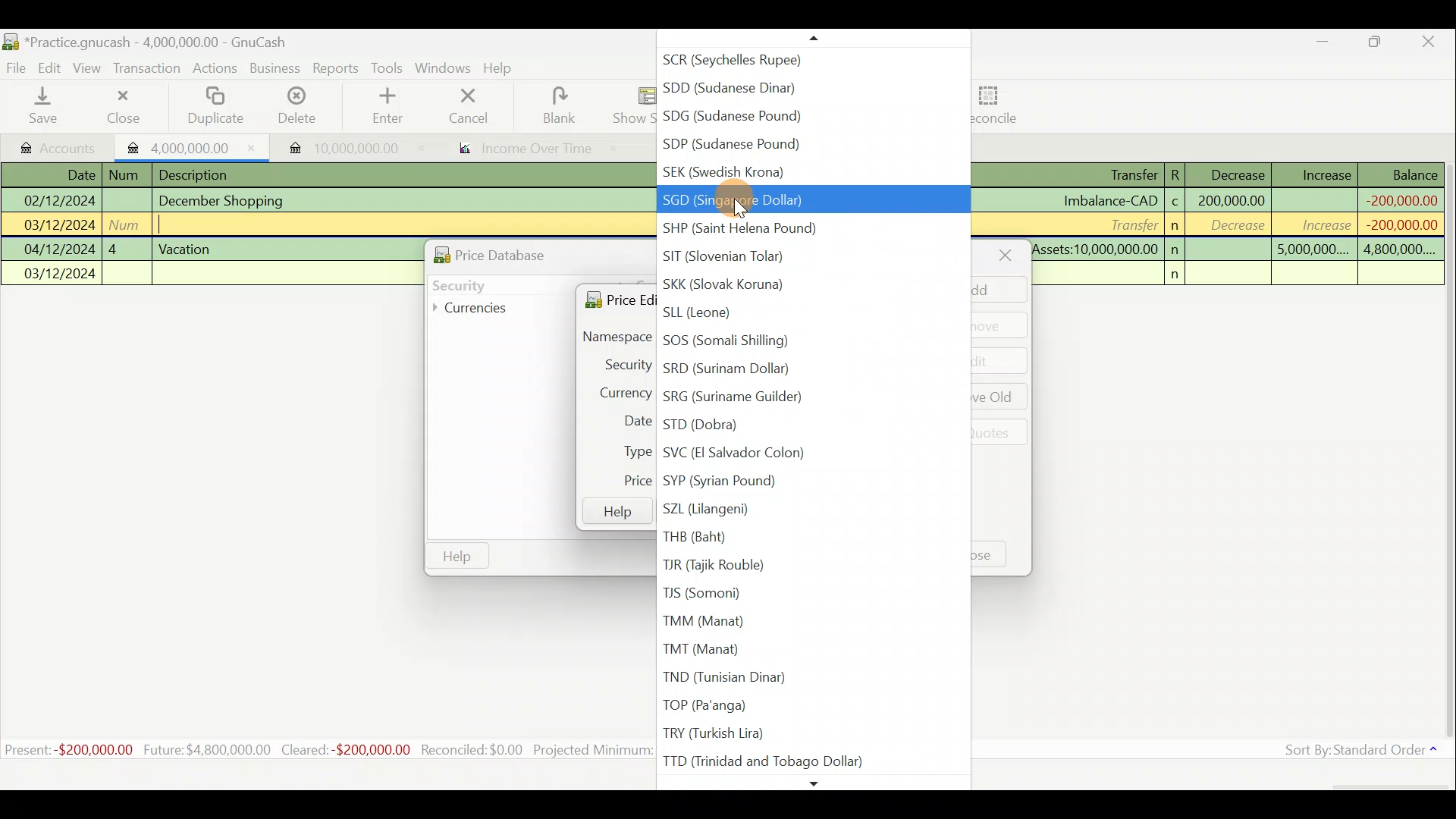  What do you see at coordinates (613, 337) in the screenshot?
I see `Namespace` at bounding box center [613, 337].